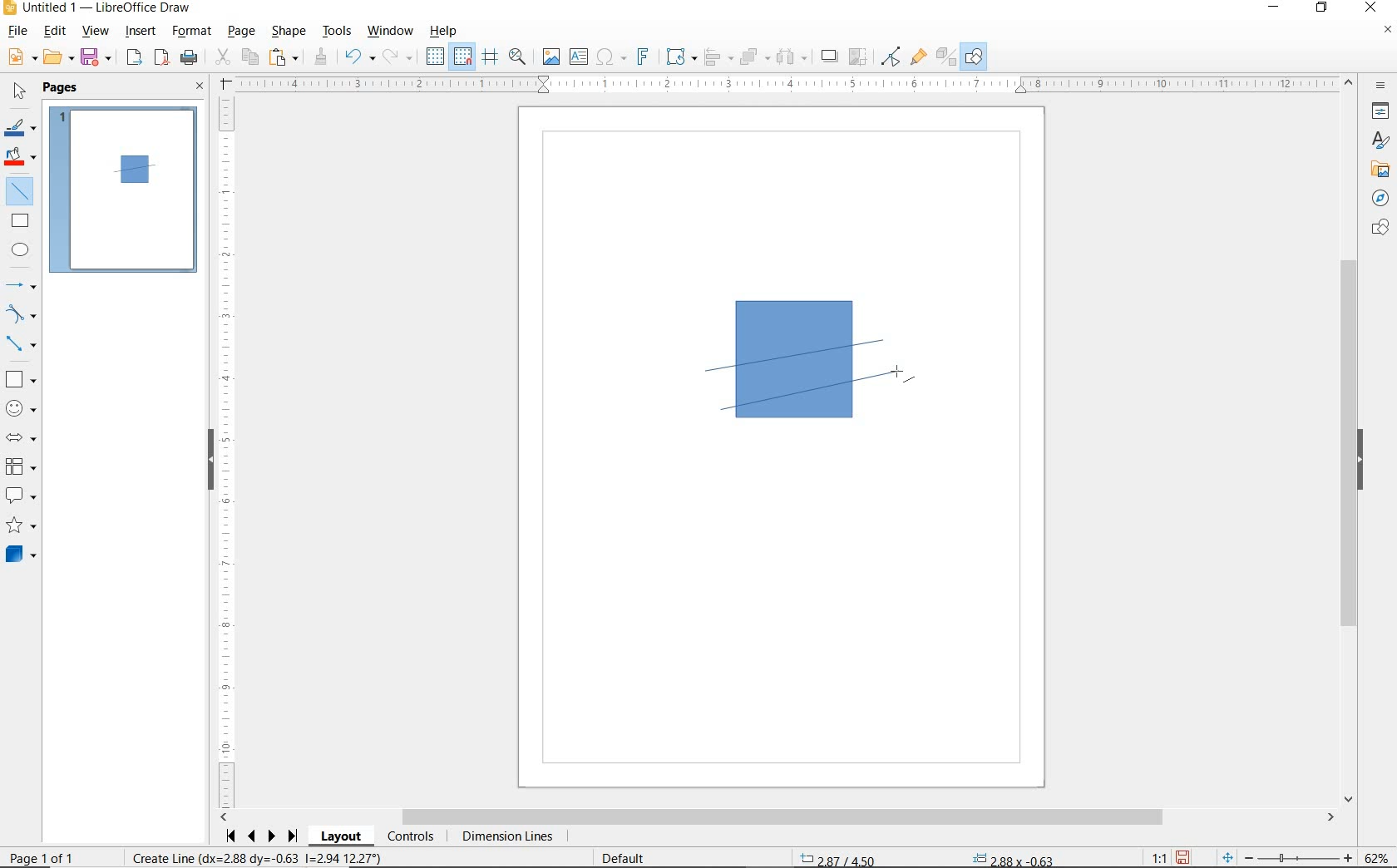 The height and width of the screenshot is (868, 1397). What do you see at coordinates (243, 32) in the screenshot?
I see `PAGE` at bounding box center [243, 32].